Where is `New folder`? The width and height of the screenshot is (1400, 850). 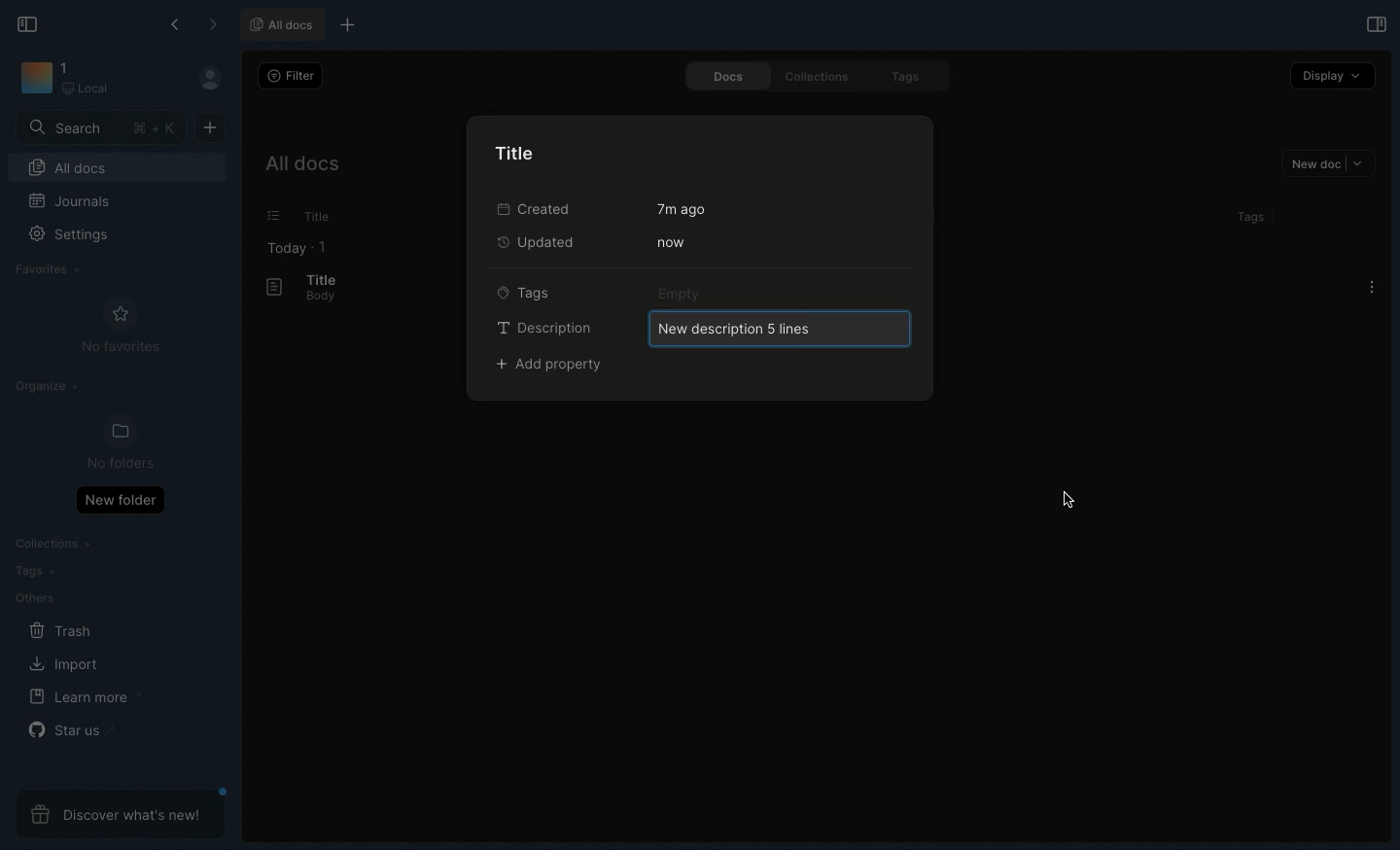 New folder is located at coordinates (120, 499).